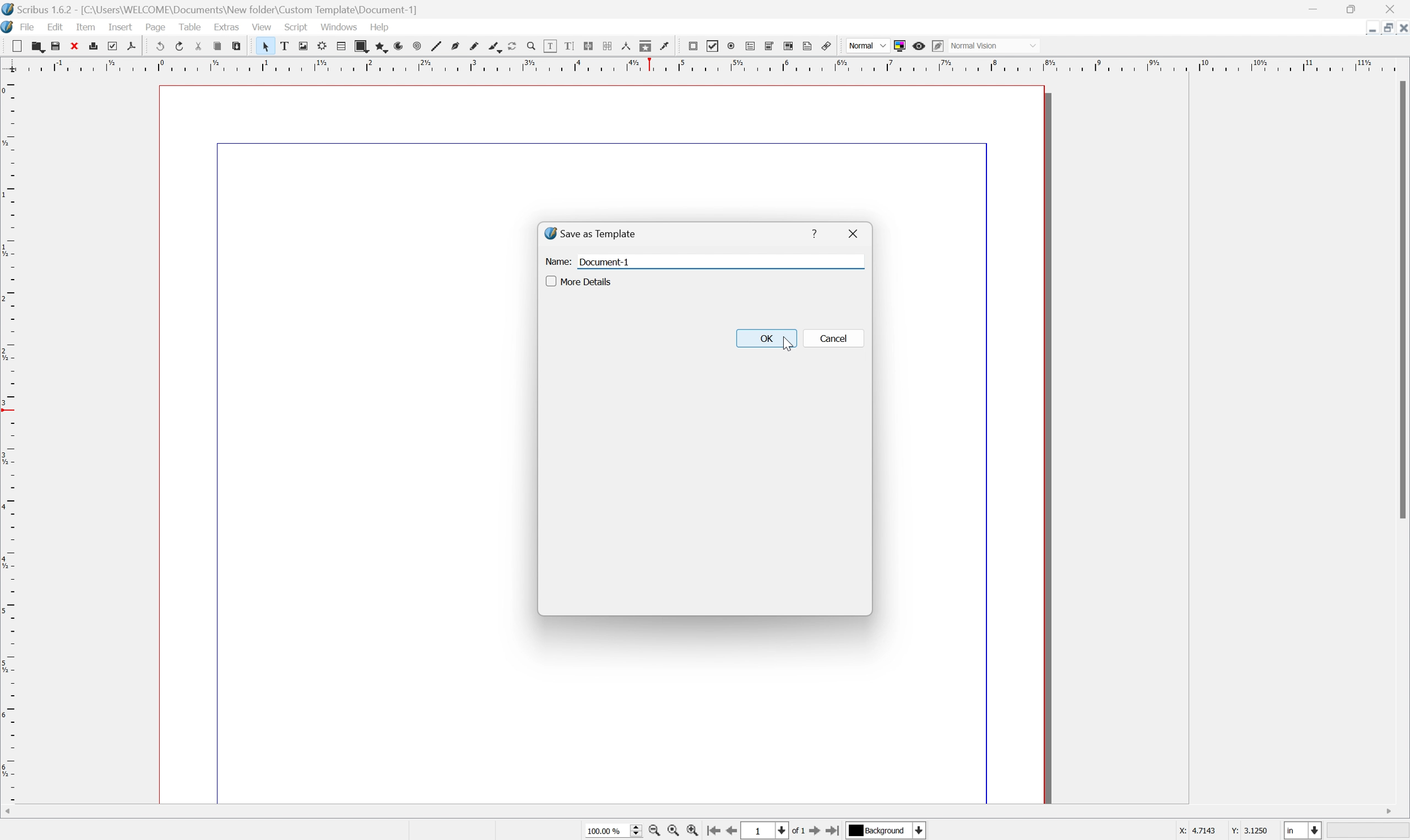 Image resolution: width=1410 pixels, height=840 pixels. I want to click on extras, so click(226, 27).